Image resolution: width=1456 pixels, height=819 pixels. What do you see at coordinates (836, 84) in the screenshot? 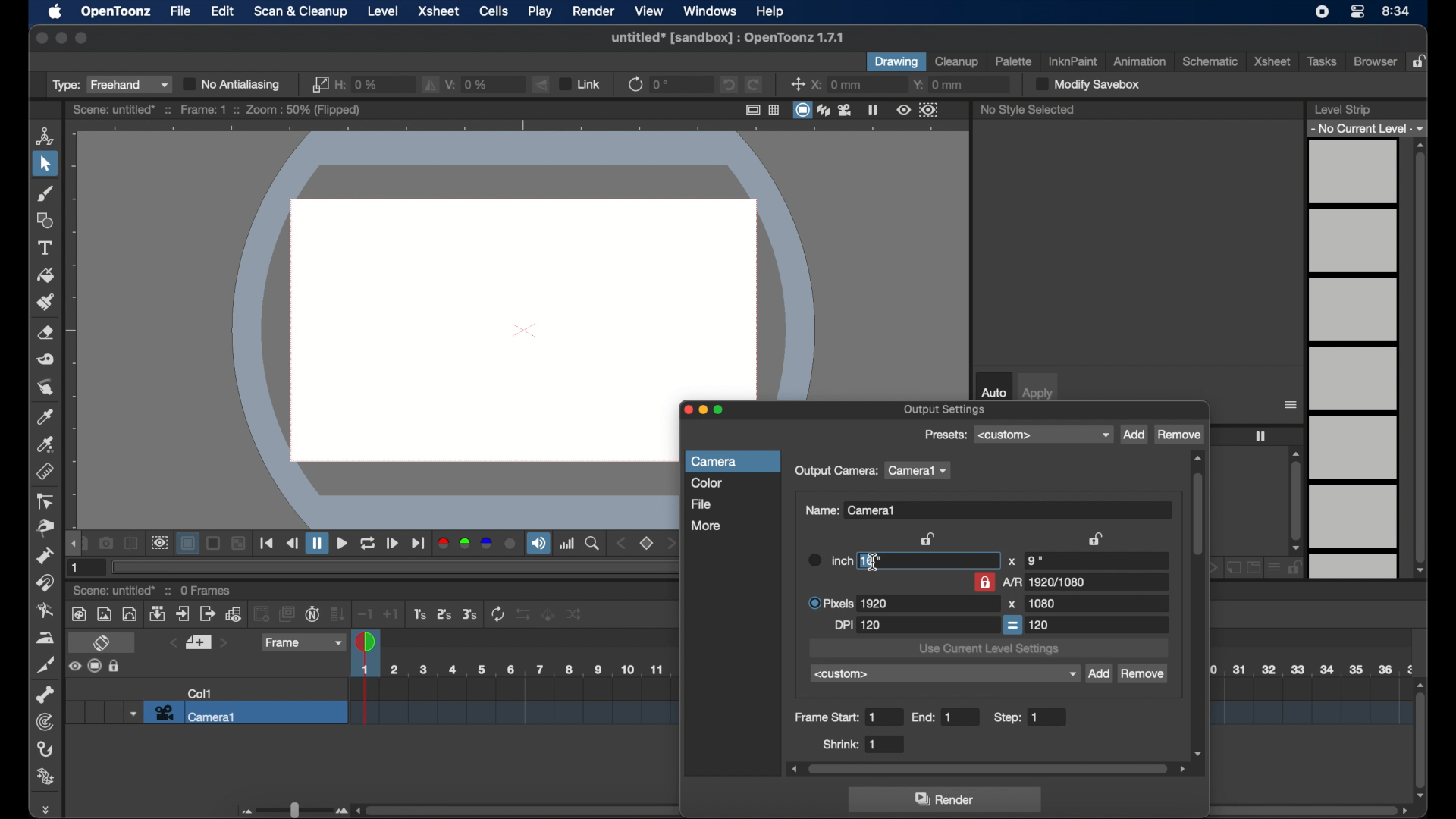
I see `x` at bounding box center [836, 84].